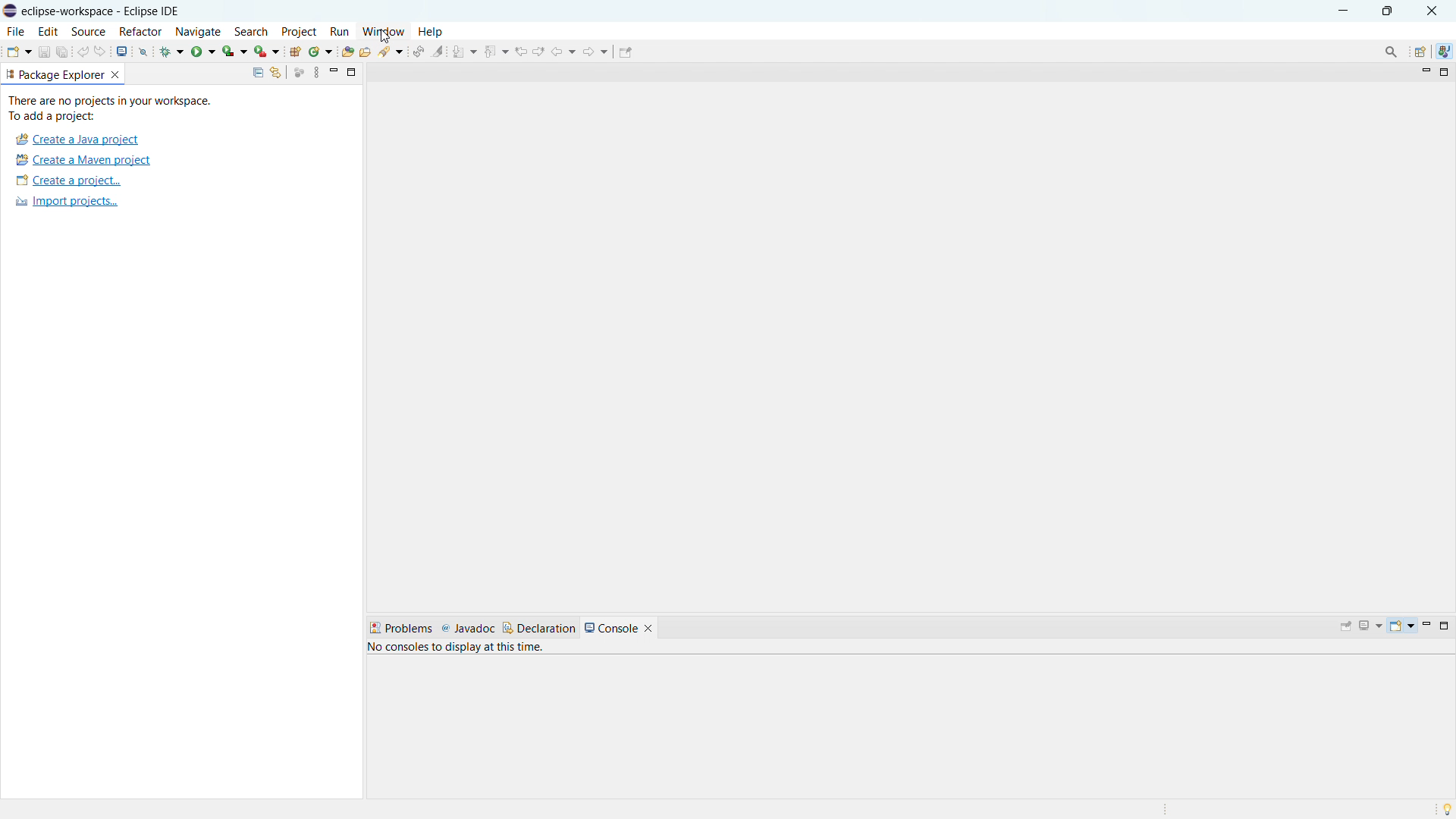 The width and height of the screenshot is (1456, 819). I want to click on search, so click(251, 31).